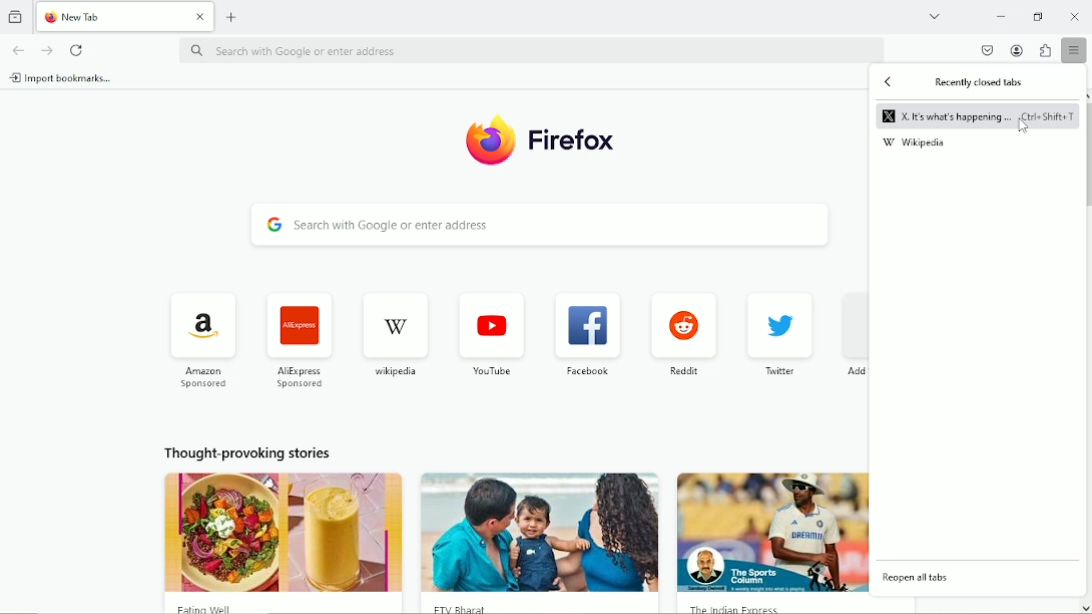 The height and width of the screenshot is (614, 1092). Describe the element at coordinates (198, 328) in the screenshot. I see `icon` at that location.